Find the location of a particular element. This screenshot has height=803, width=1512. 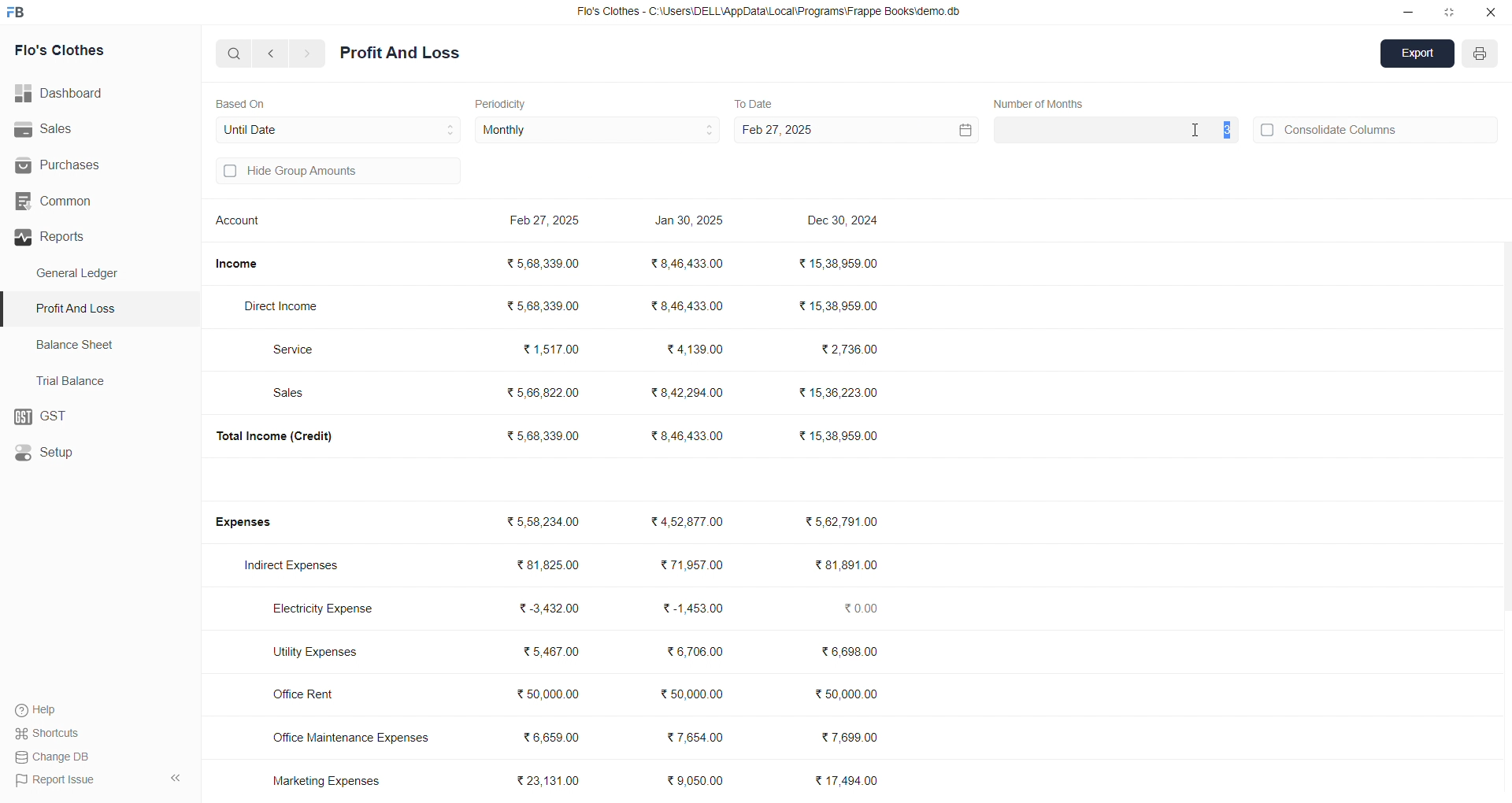

Purchases is located at coordinates (76, 165).